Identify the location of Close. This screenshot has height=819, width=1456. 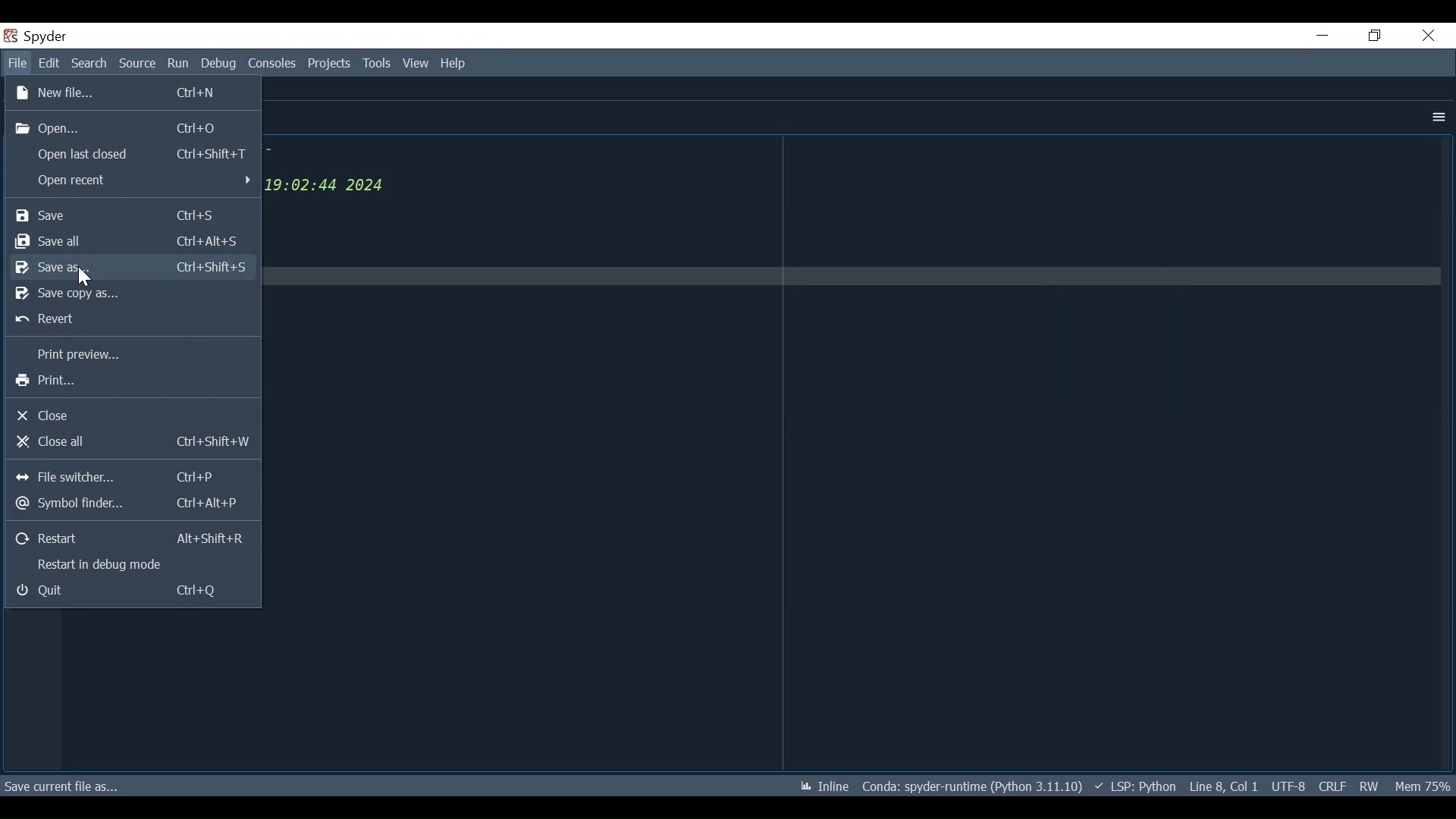
(134, 416).